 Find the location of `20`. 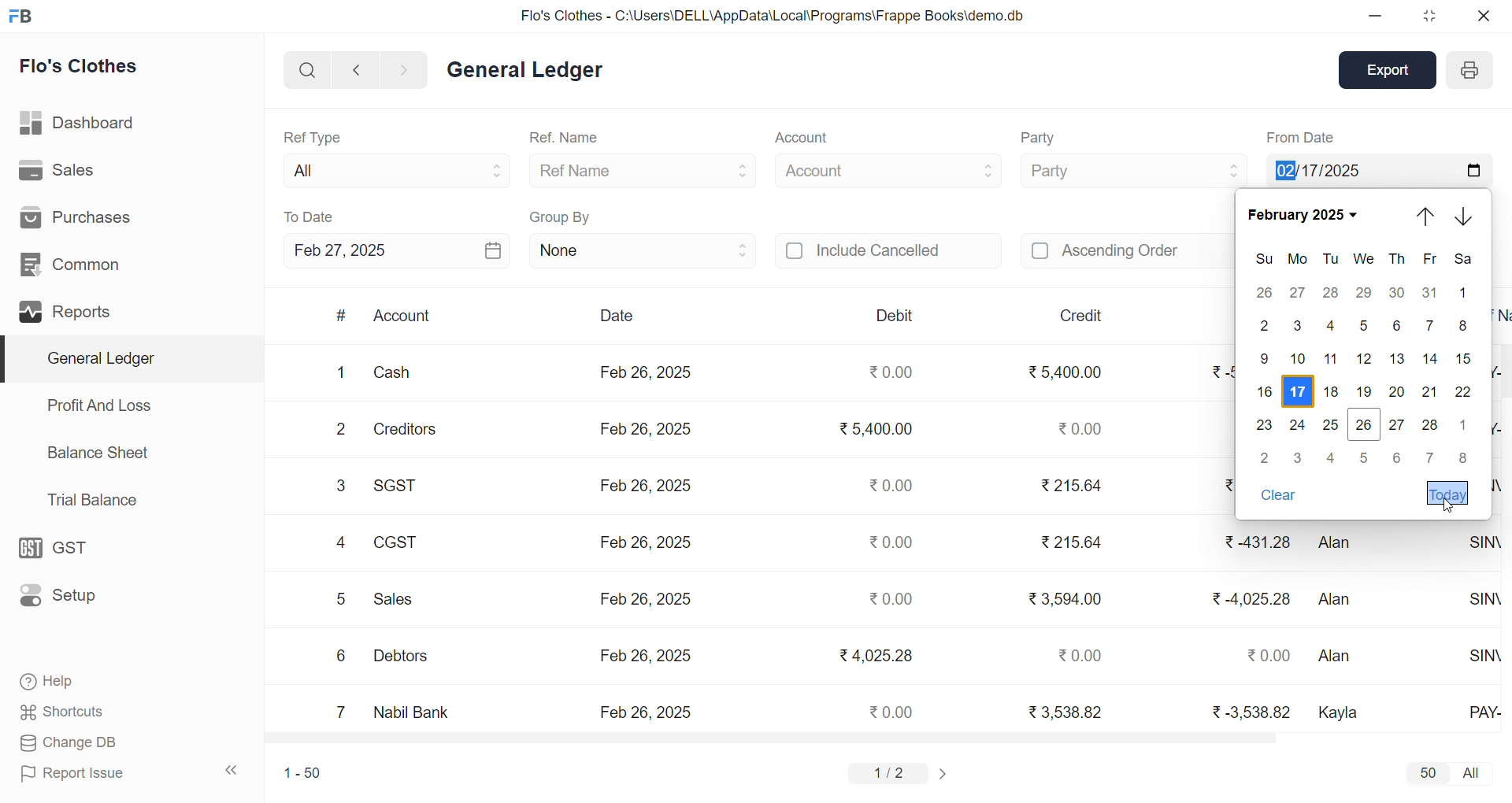

20 is located at coordinates (1395, 392).